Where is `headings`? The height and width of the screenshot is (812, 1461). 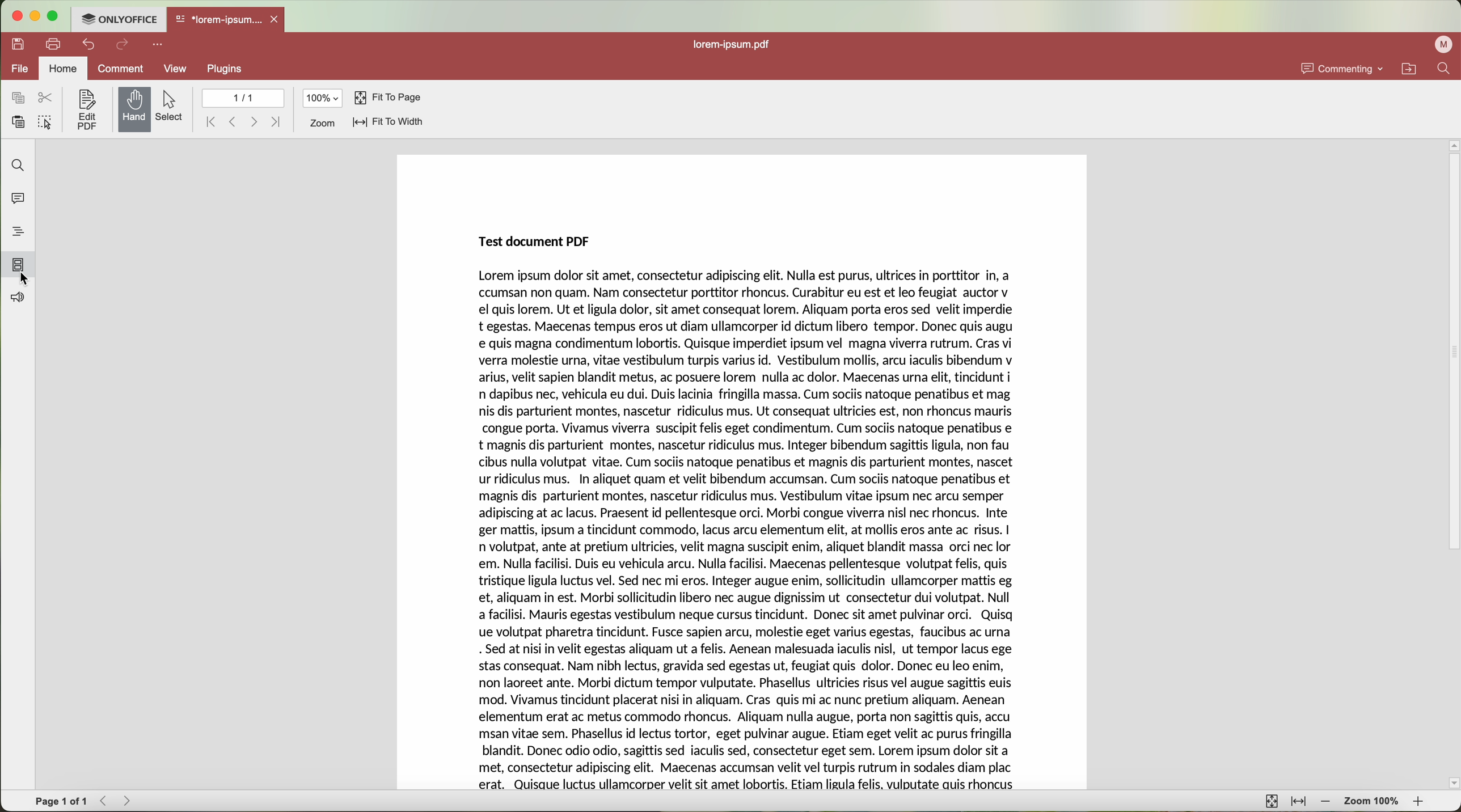 headings is located at coordinates (18, 232).